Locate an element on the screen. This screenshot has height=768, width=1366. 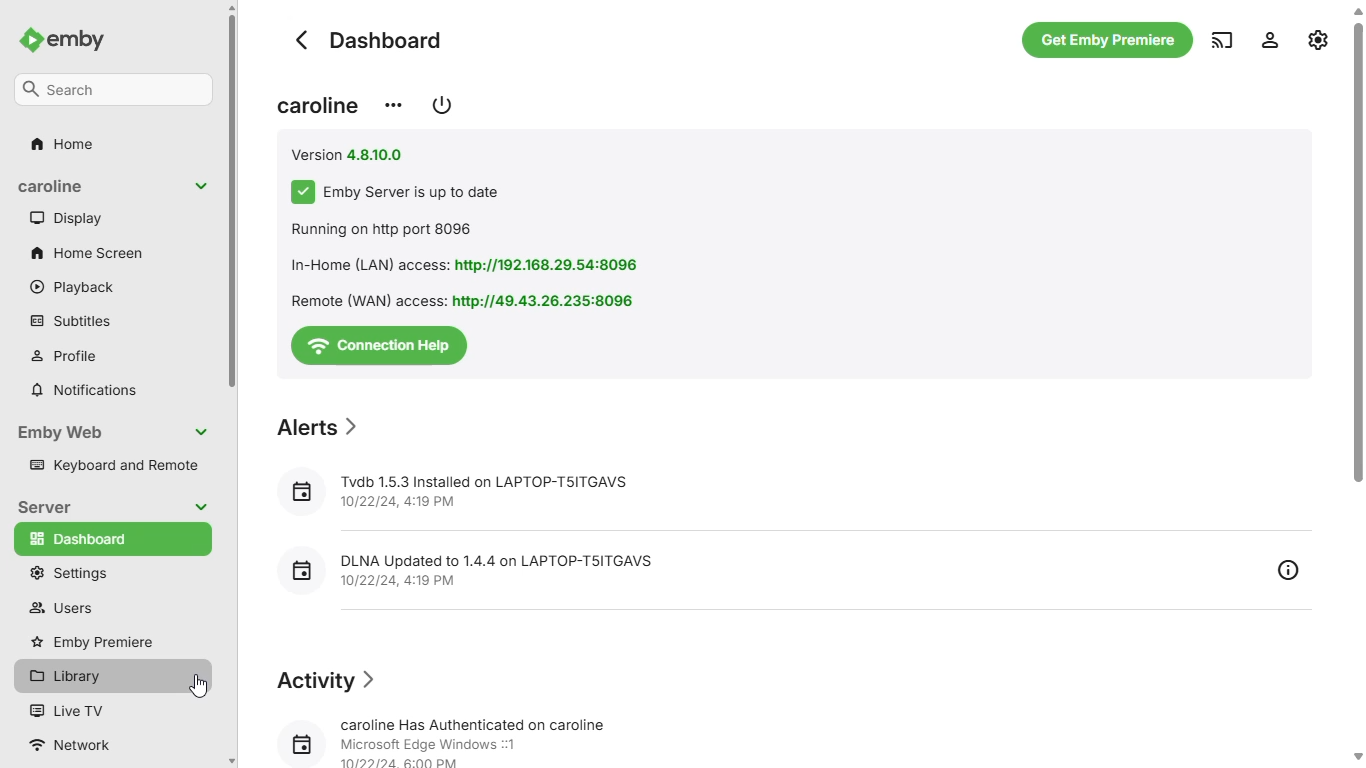
search is located at coordinates (114, 89).